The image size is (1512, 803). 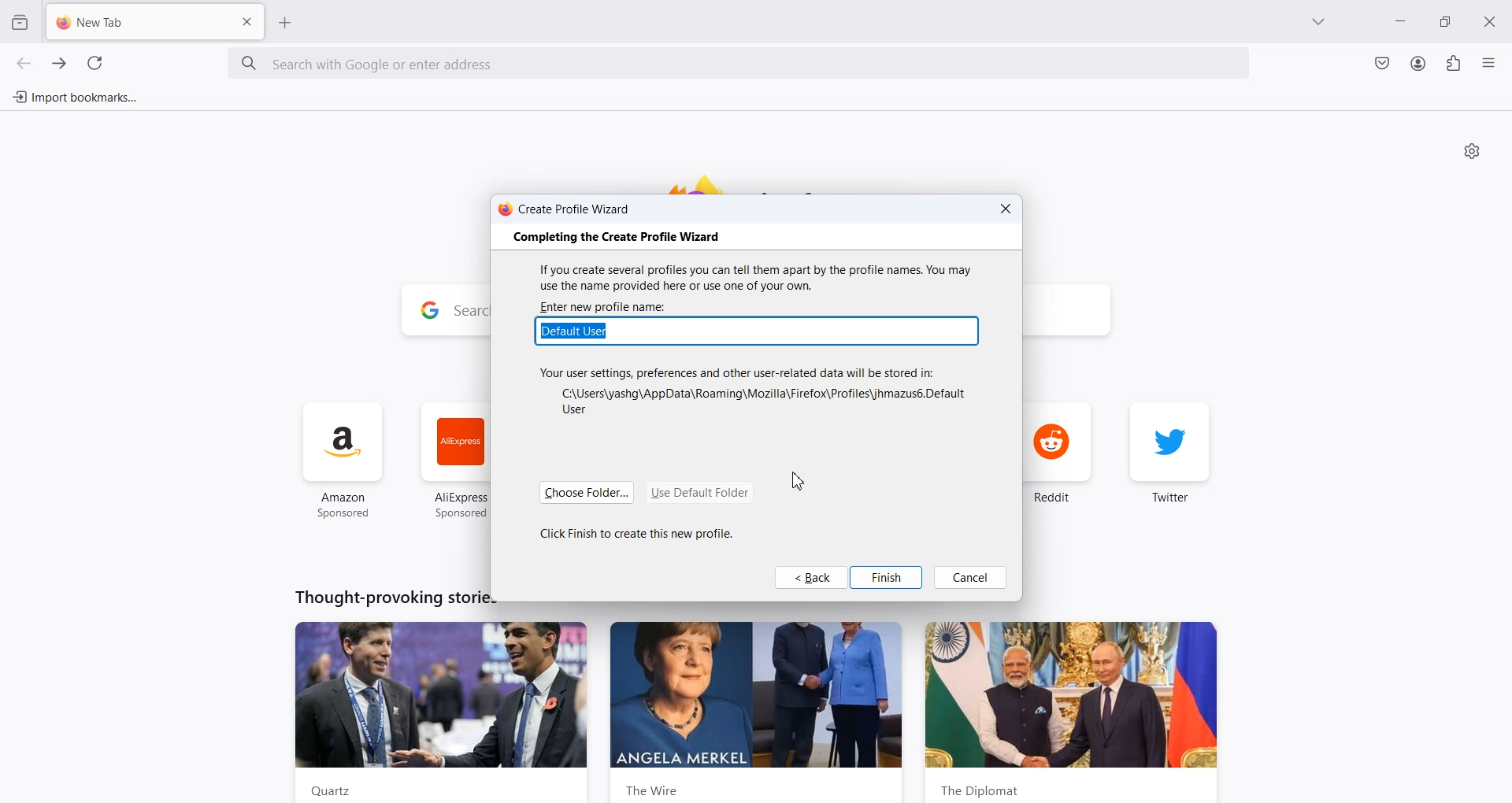 What do you see at coordinates (632, 535) in the screenshot?
I see `Click Finish to create this new profile.` at bounding box center [632, 535].